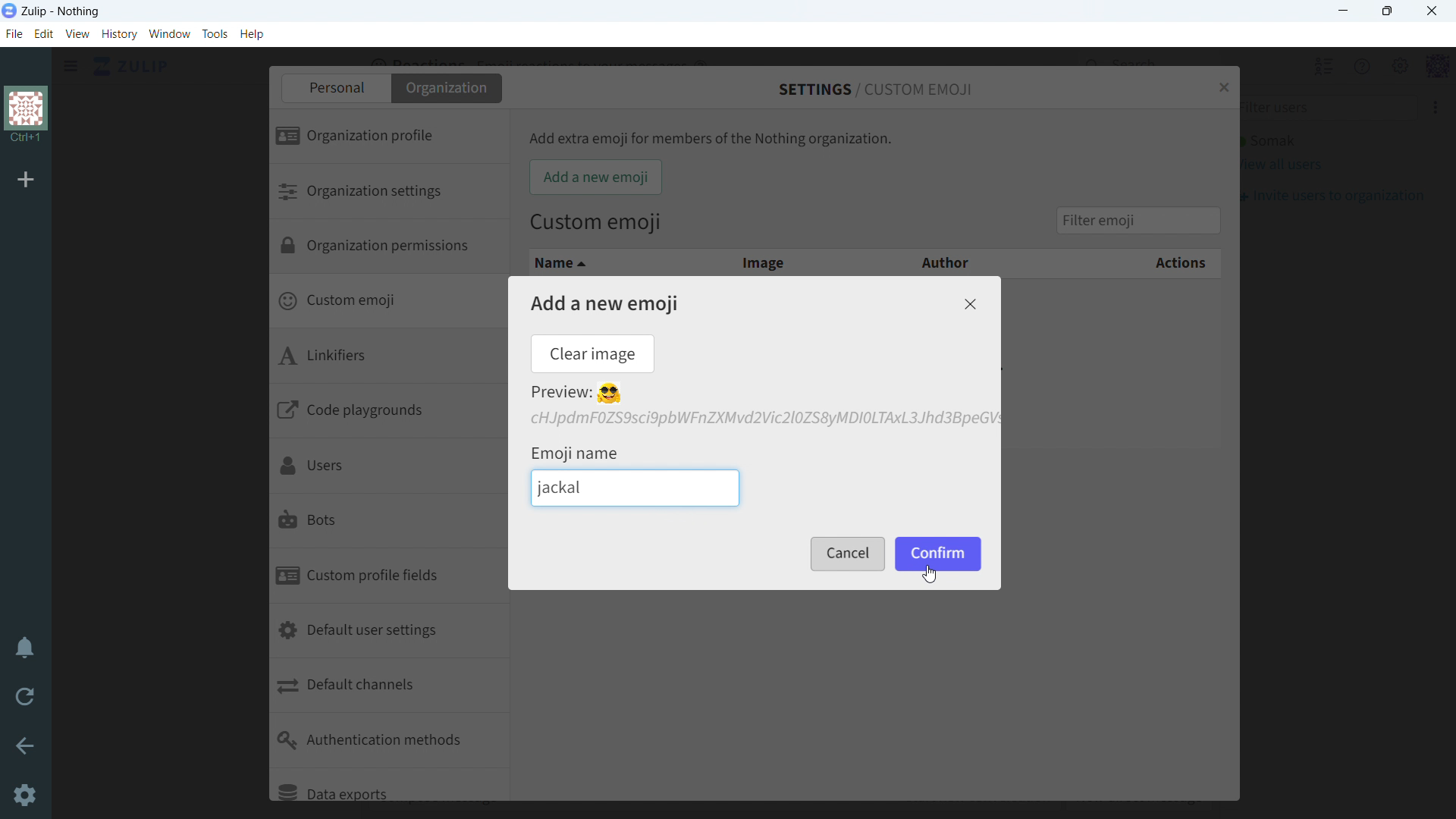 The image size is (1456, 819). Describe the element at coordinates (389, 741) in the screenshot. I see `authentication methods` at that location.